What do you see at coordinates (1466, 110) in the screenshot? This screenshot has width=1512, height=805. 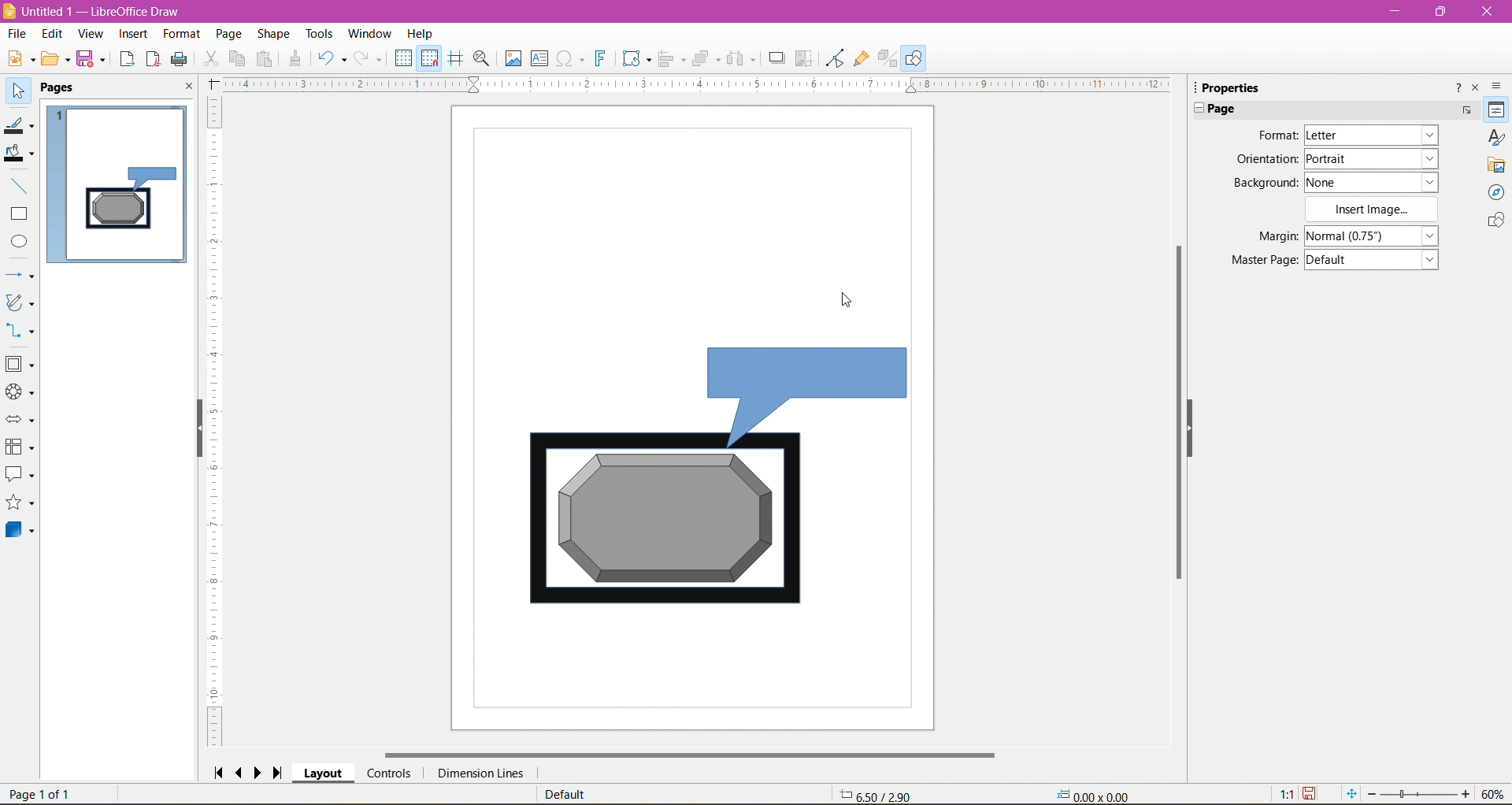 I see `More Options` at bounding box center [1466, 110].